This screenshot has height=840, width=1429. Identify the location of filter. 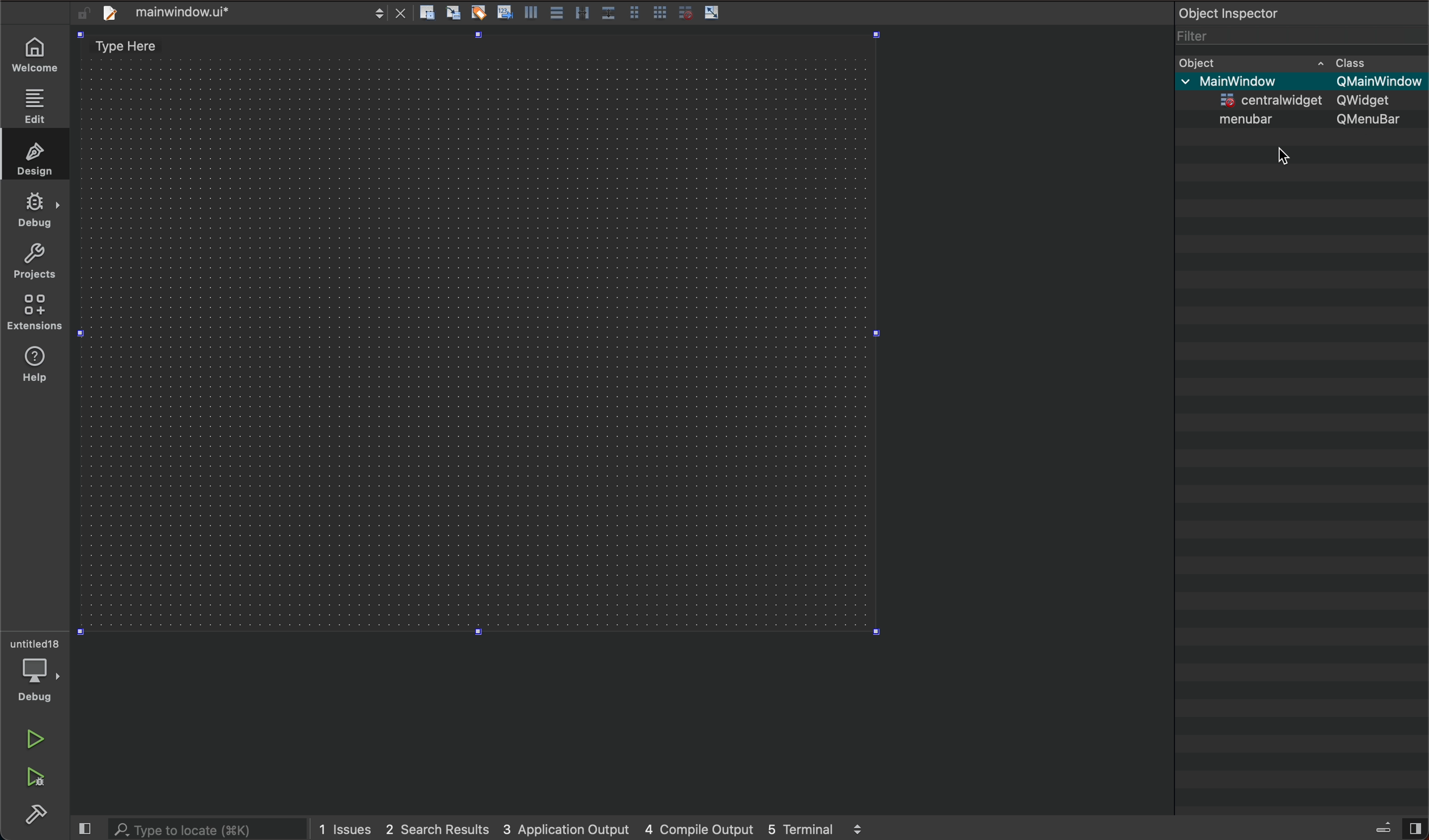
(1189, 36).